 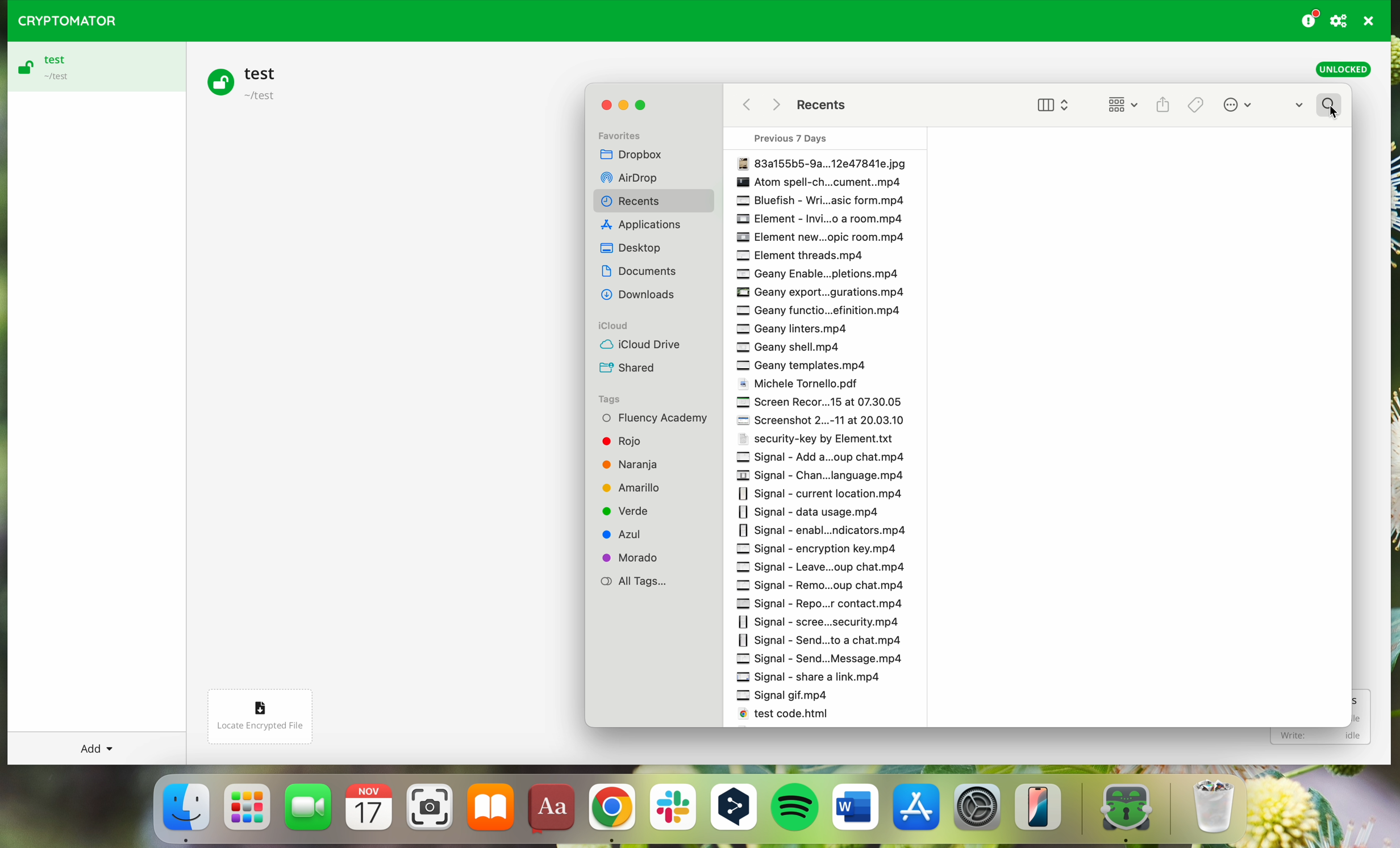 What do you see at coordinates (656, 418) in the screenshot?
I see `Fluency Academy` at bounding box center [656, 418].